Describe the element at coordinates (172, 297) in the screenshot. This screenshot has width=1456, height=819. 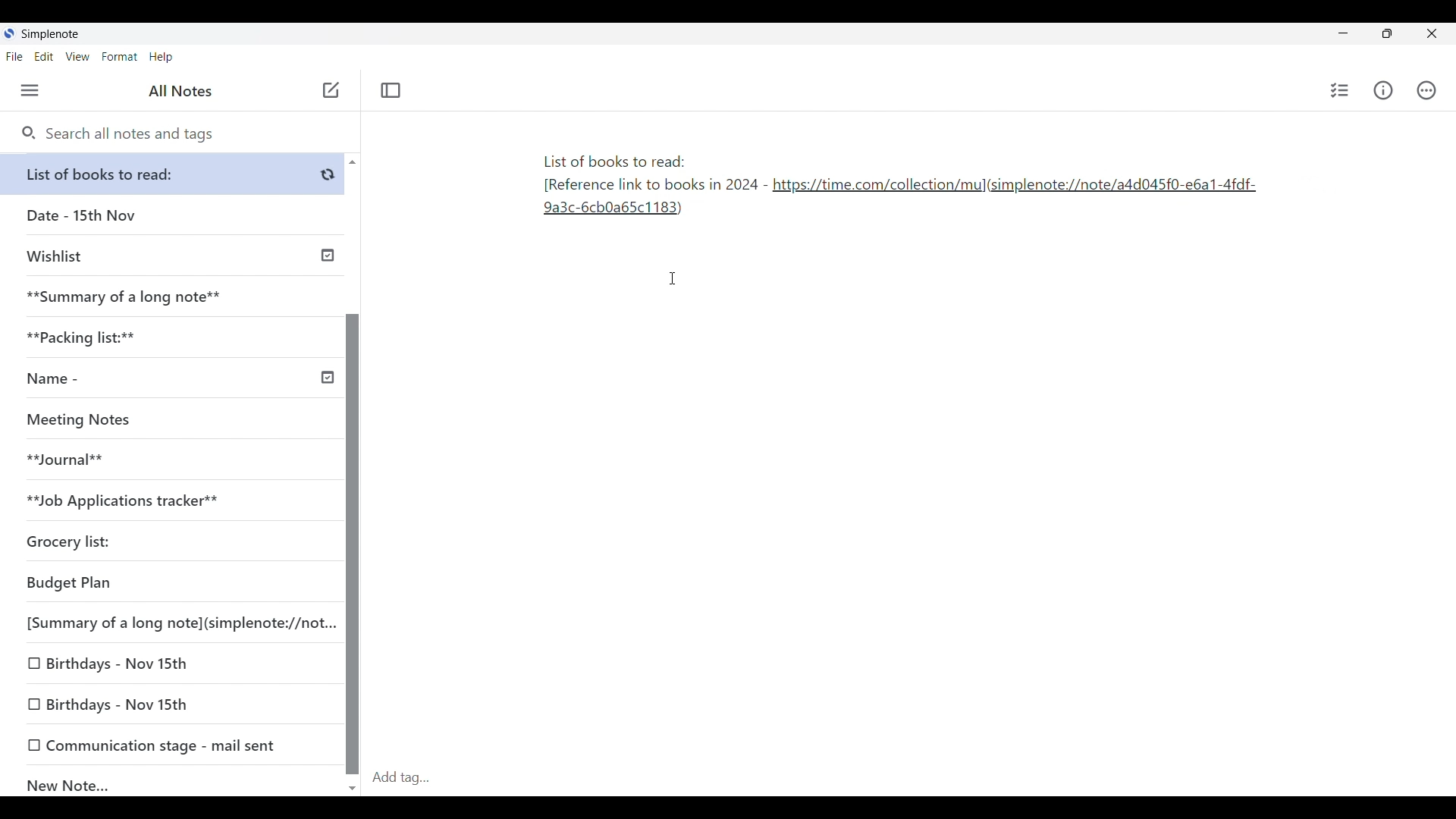
I see `**Summary of a long note**` at that location.